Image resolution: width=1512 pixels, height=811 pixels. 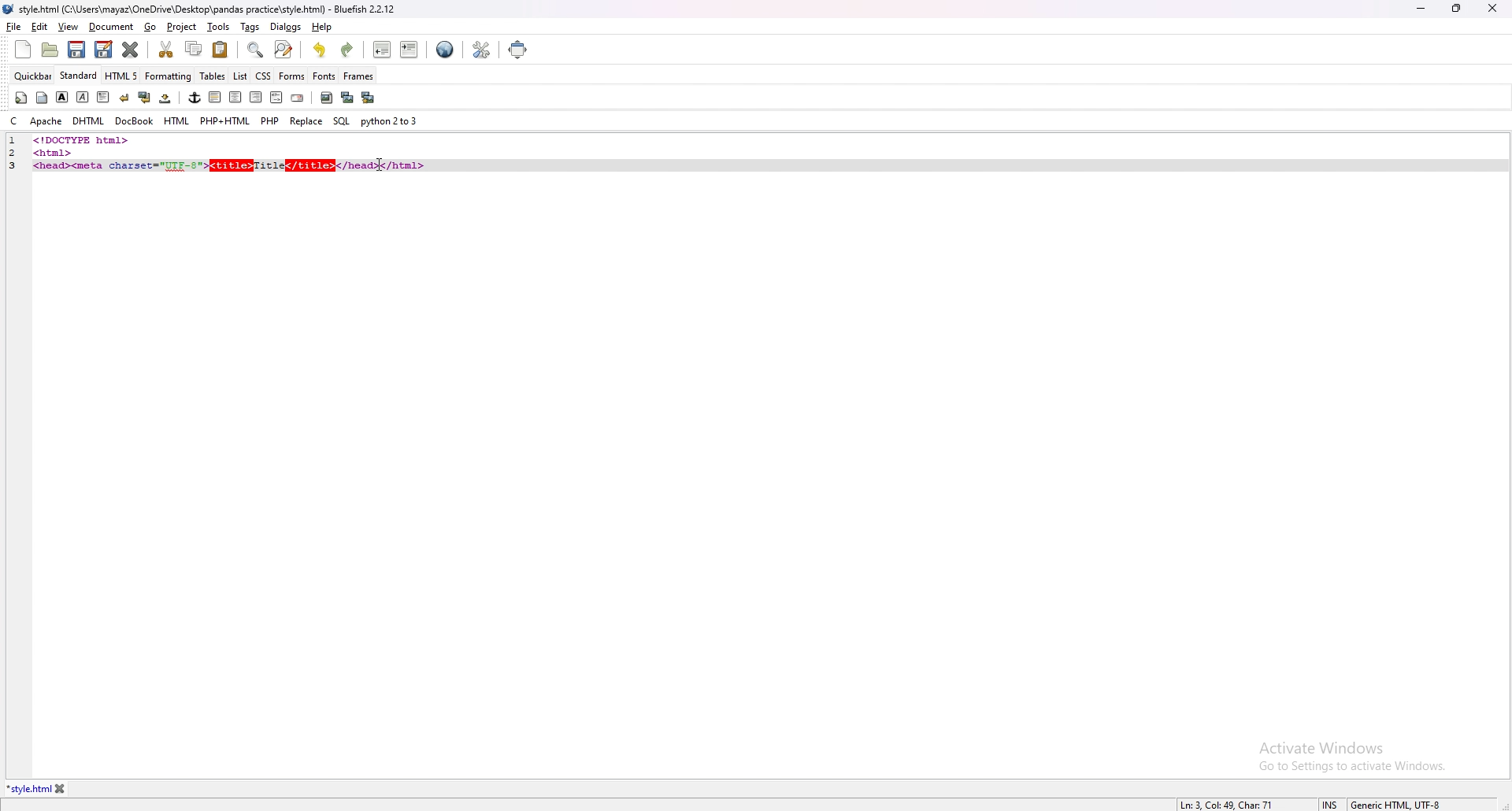 What do you see at coordinates (40, 27) in the screenshot?
I see `edit` at bounding box center [40, 27].